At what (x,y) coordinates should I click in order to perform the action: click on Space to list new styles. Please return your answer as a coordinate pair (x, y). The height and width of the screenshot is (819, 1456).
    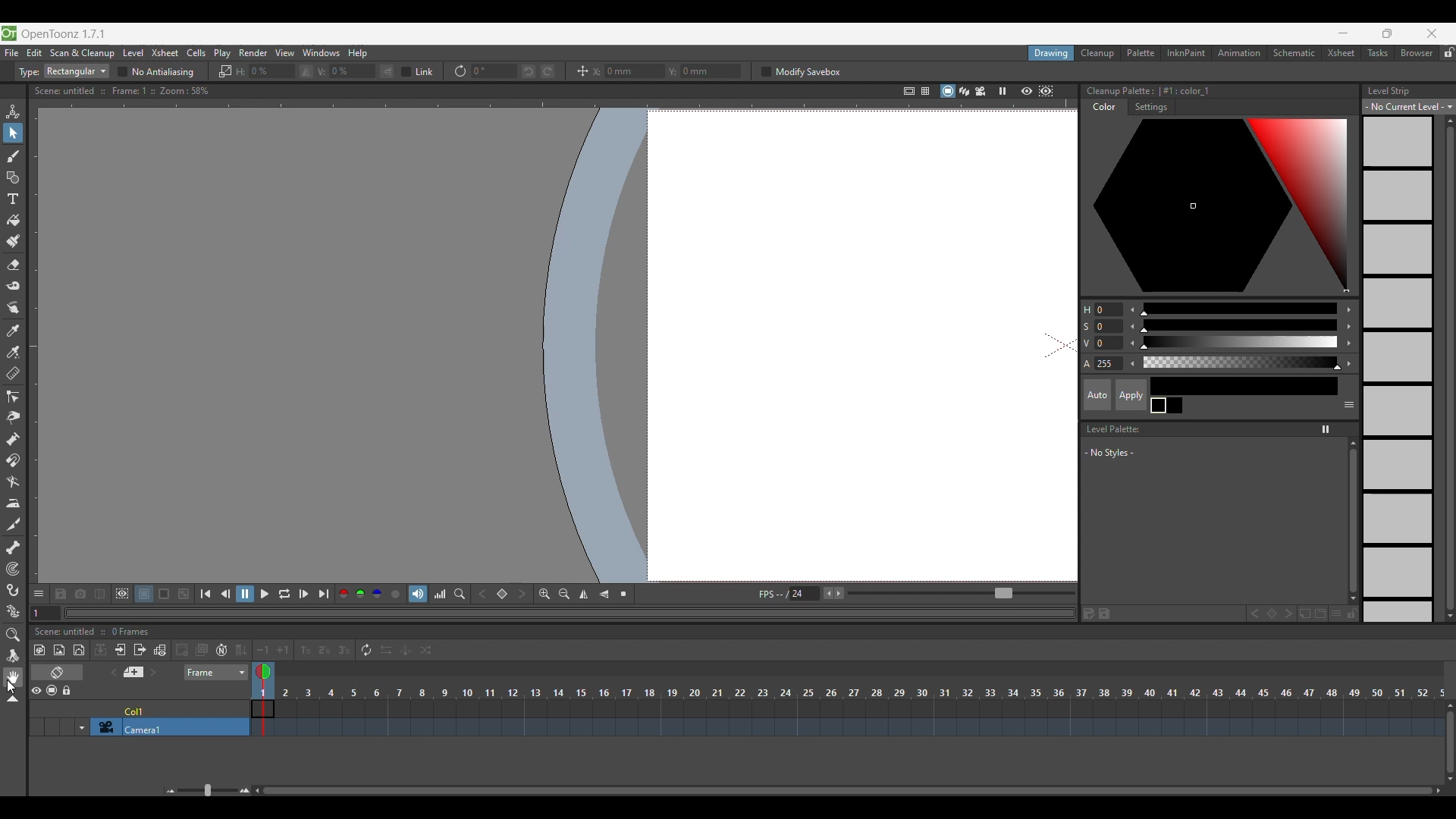
    Looking at the image, I should click on (1113, 497).